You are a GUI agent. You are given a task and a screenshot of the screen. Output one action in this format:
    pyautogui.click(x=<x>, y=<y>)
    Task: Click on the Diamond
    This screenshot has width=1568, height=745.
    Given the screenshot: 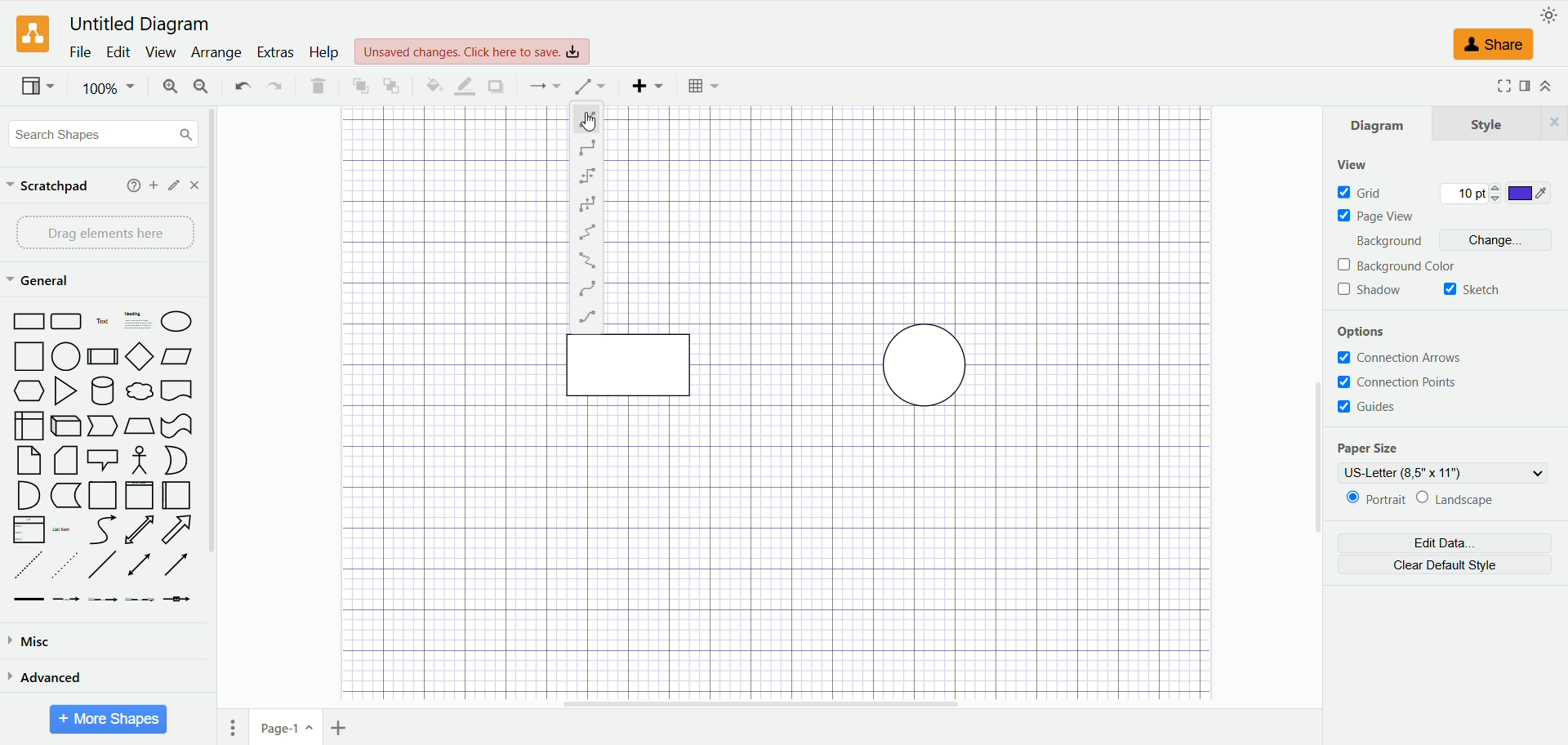 What is the action you would take?
    pyautogui.click(x=140, y=358)
    